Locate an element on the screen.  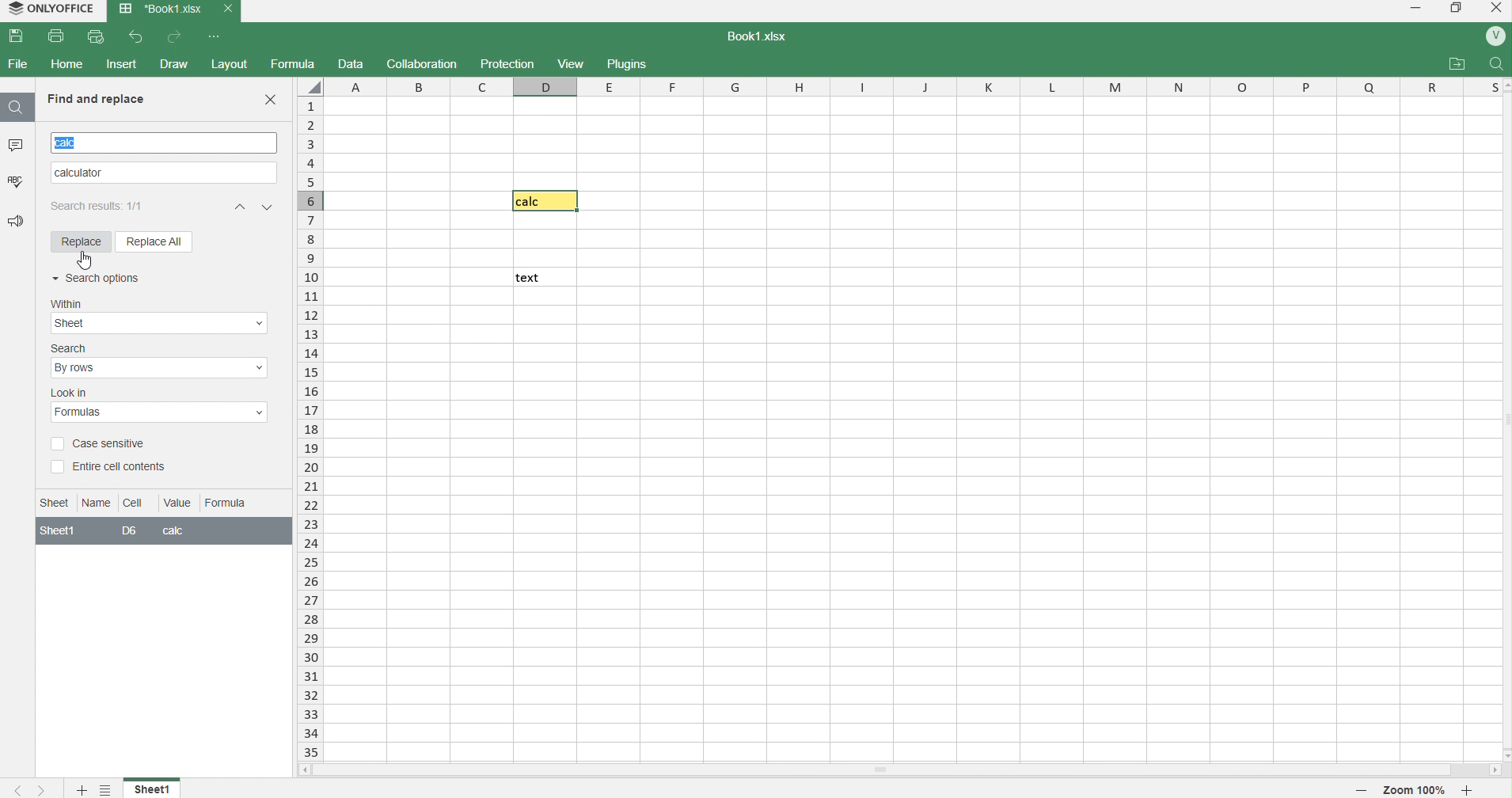
previous sheet is located at coordinates (11, 788).